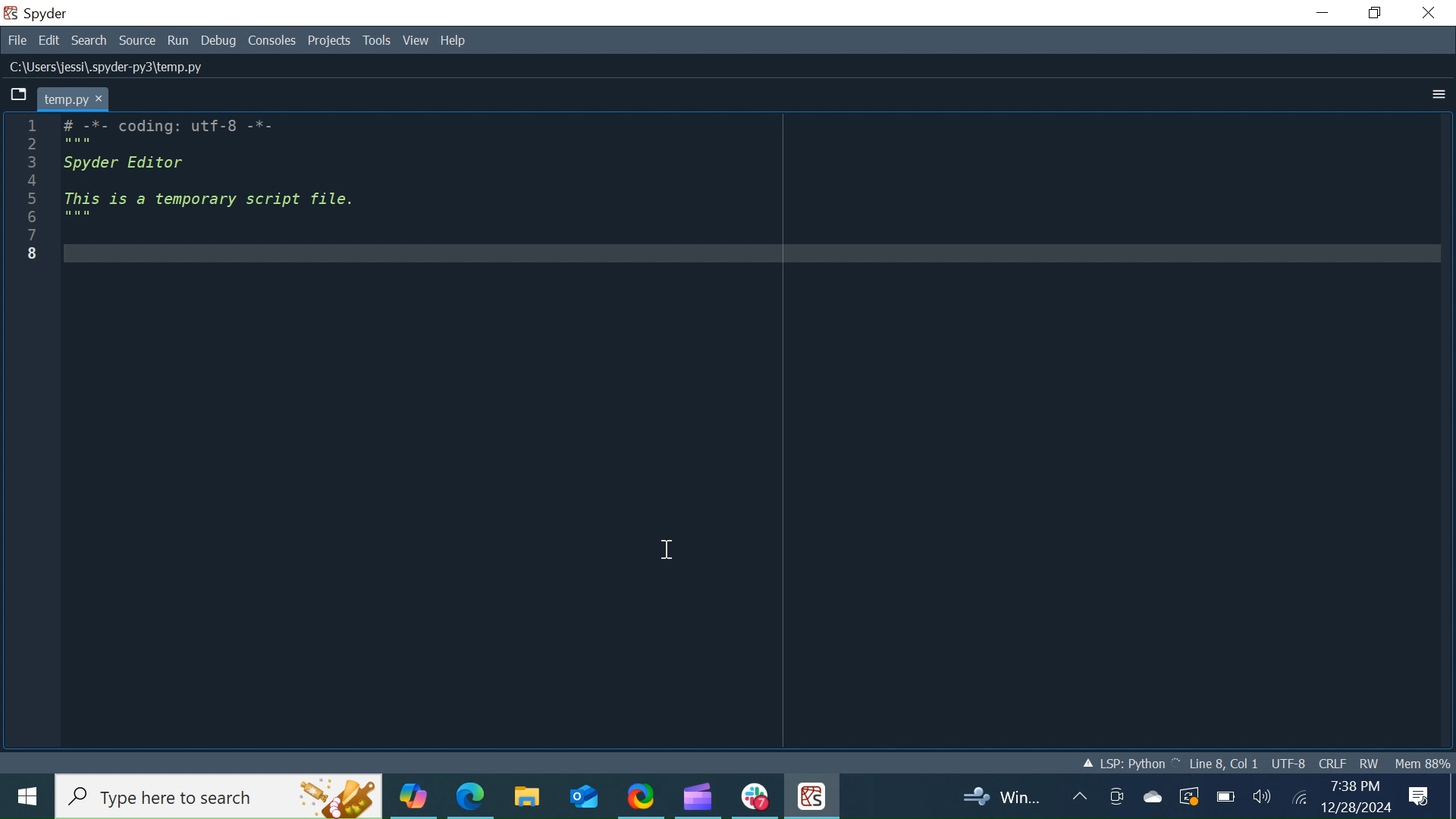 This screenshot has height=819, width=1456. I want to click on File, so click(16, 42).